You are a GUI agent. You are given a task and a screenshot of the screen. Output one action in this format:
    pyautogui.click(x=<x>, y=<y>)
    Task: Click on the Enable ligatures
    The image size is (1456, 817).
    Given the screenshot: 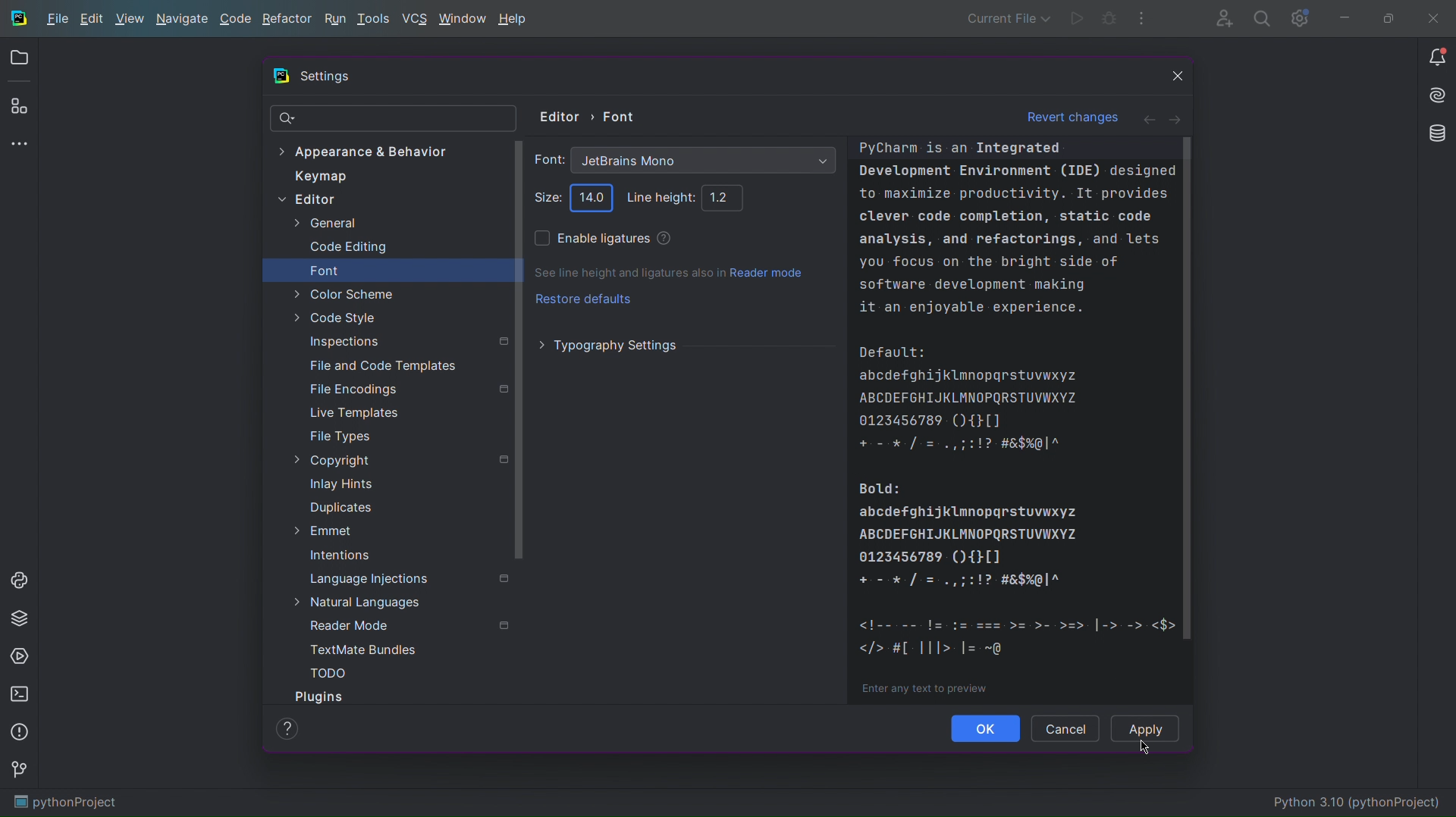 What is the action you would take?
    pyautogui.click(x=590, y=237)
    